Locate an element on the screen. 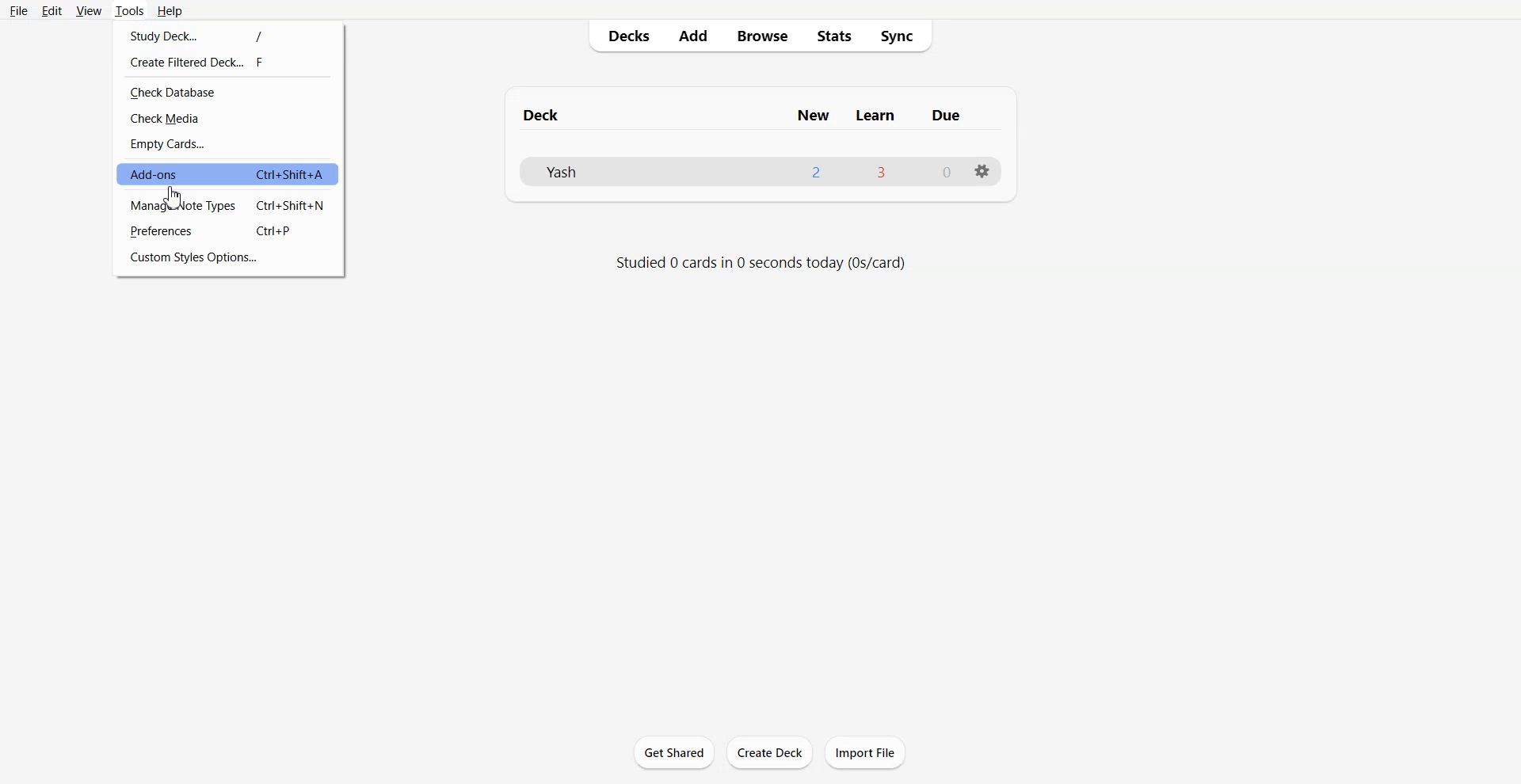 The height and width of the screenshot is (784, 1521). Yash is located at coordinates (559, 171).